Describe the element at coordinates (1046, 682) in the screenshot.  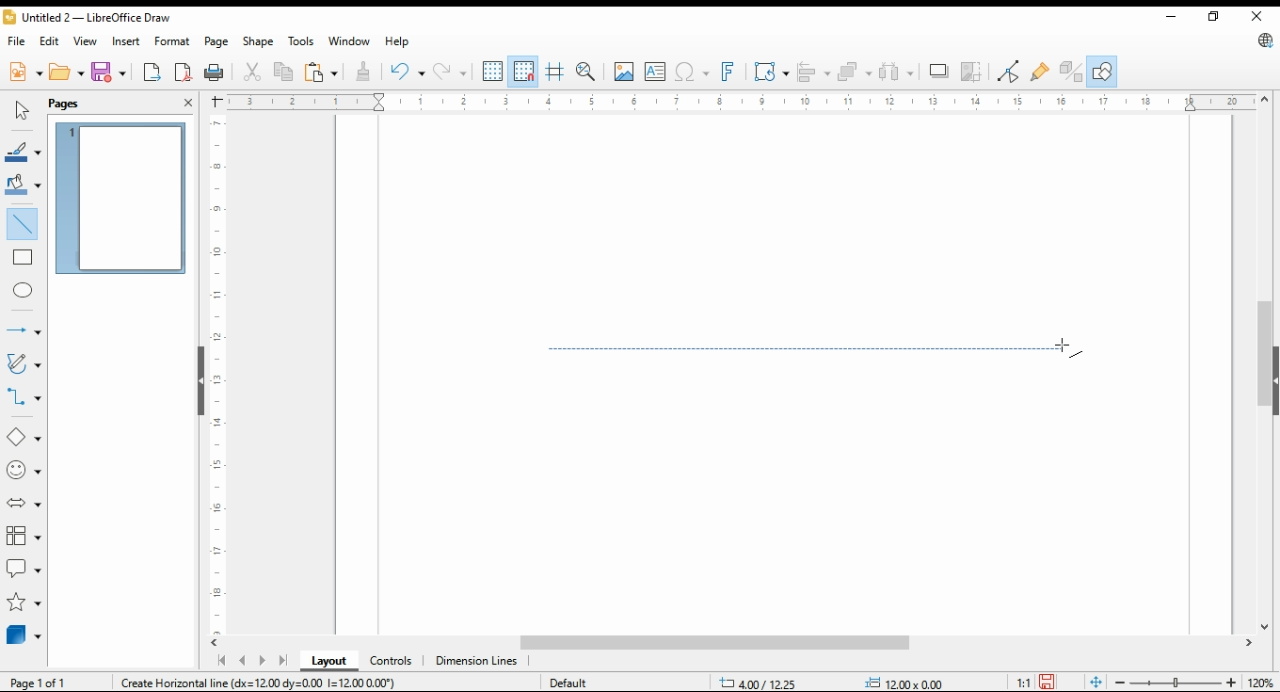
I see `save` at that location.